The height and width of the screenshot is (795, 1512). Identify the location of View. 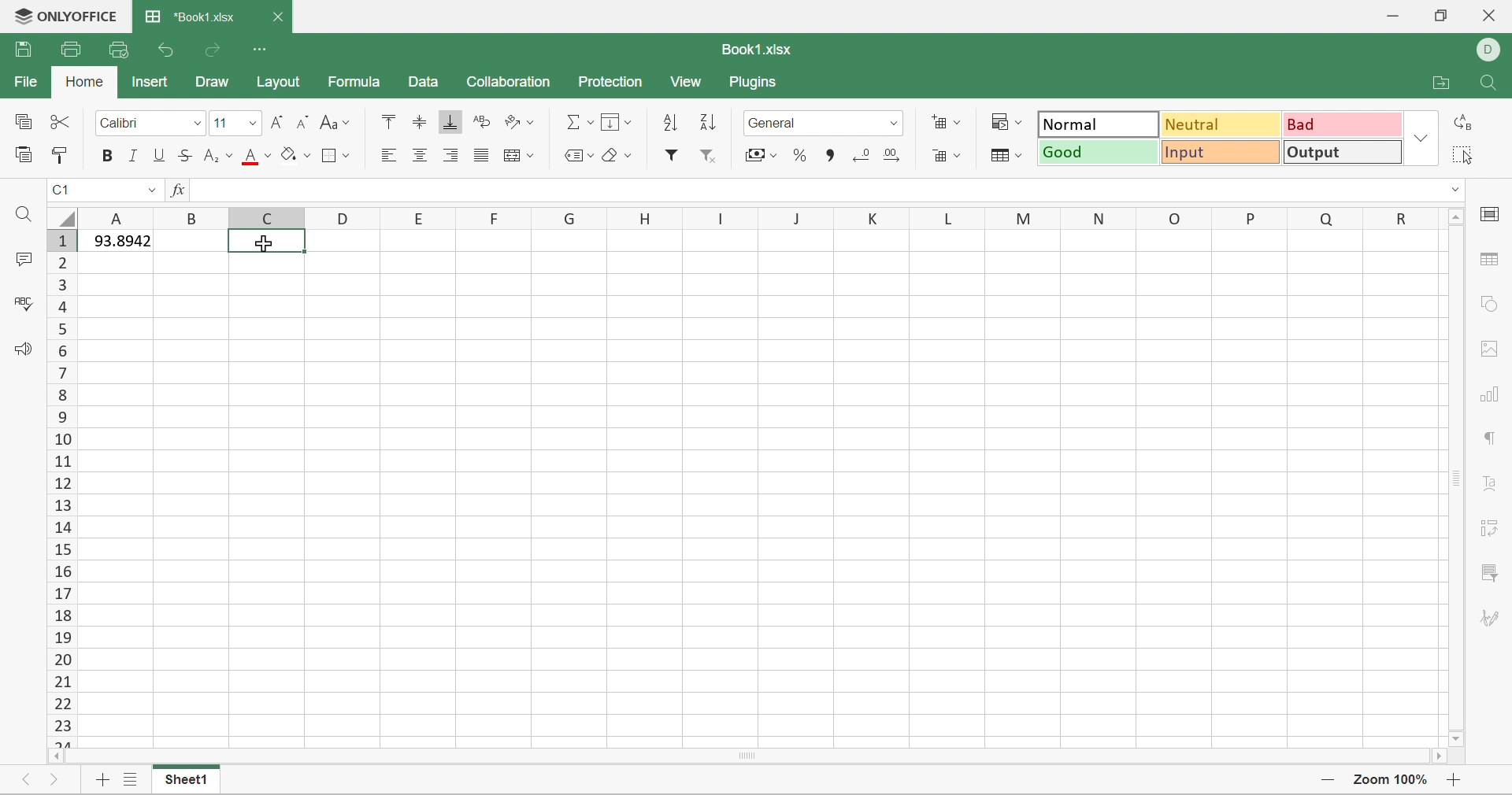
(688, 83).